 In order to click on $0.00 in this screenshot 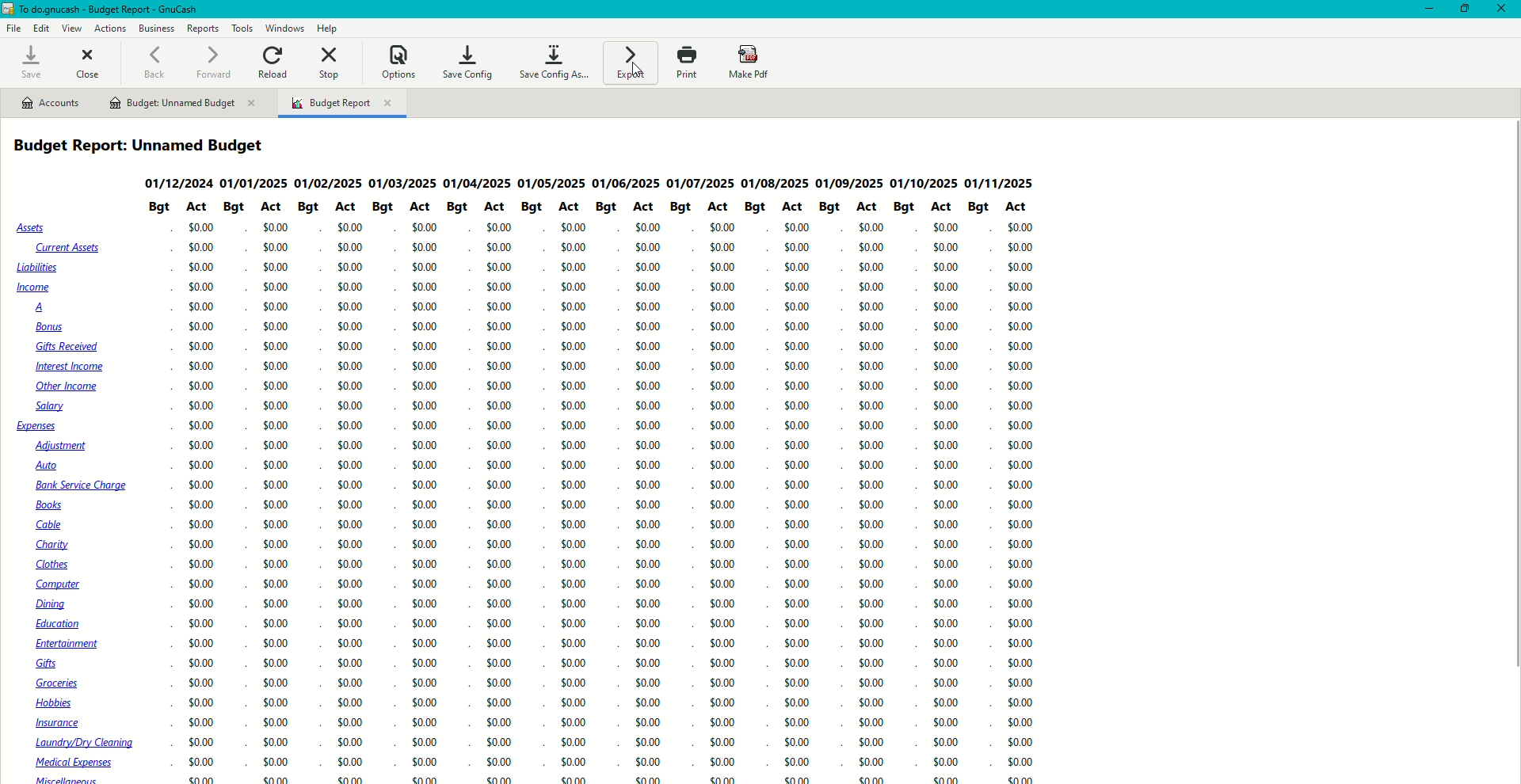, I will do `click(351, 644)`.